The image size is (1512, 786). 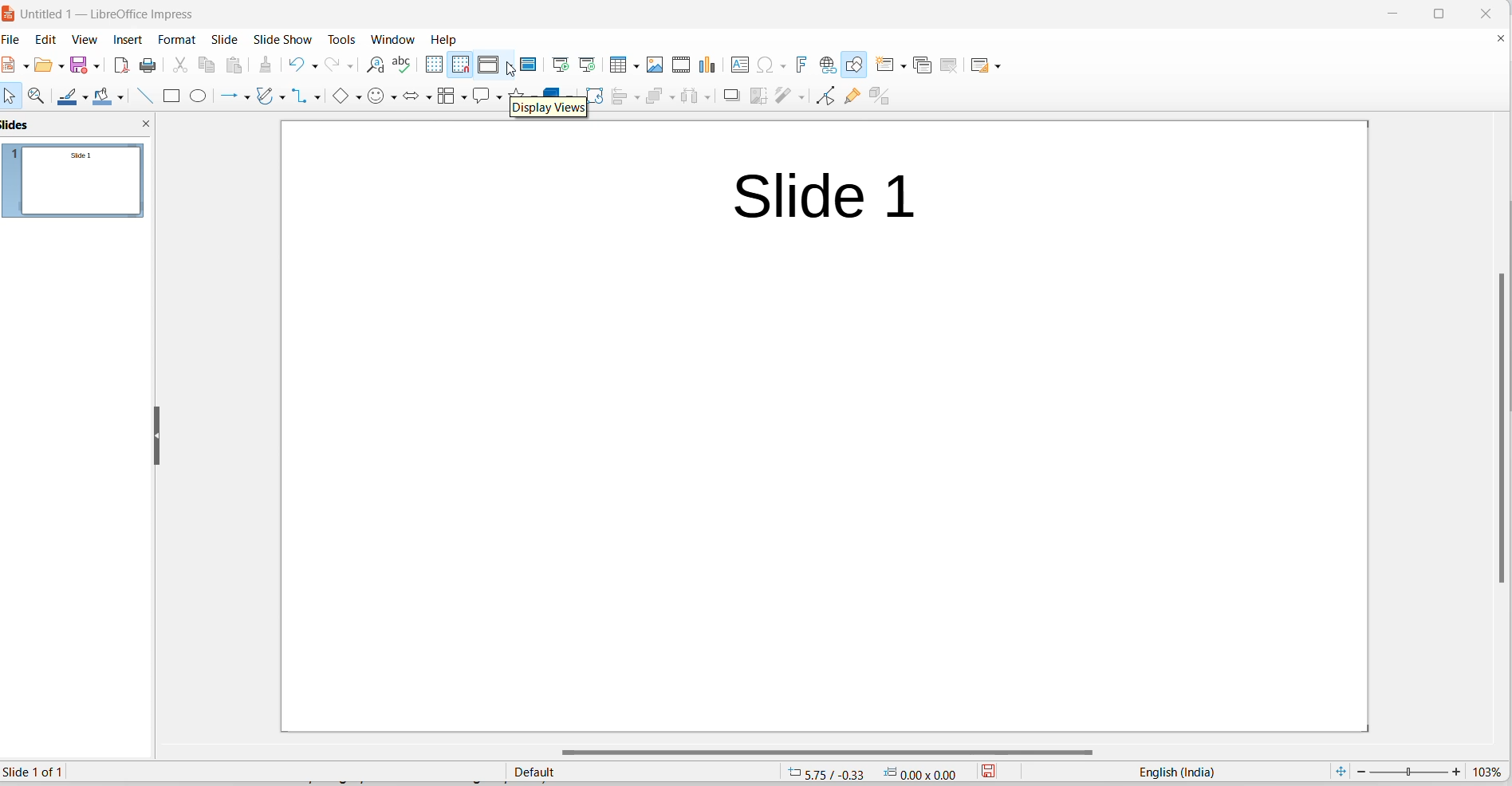 What do you see at coordinates (58, 65) in the screenshot?
I see `open options` at bounding box center [58, 65].